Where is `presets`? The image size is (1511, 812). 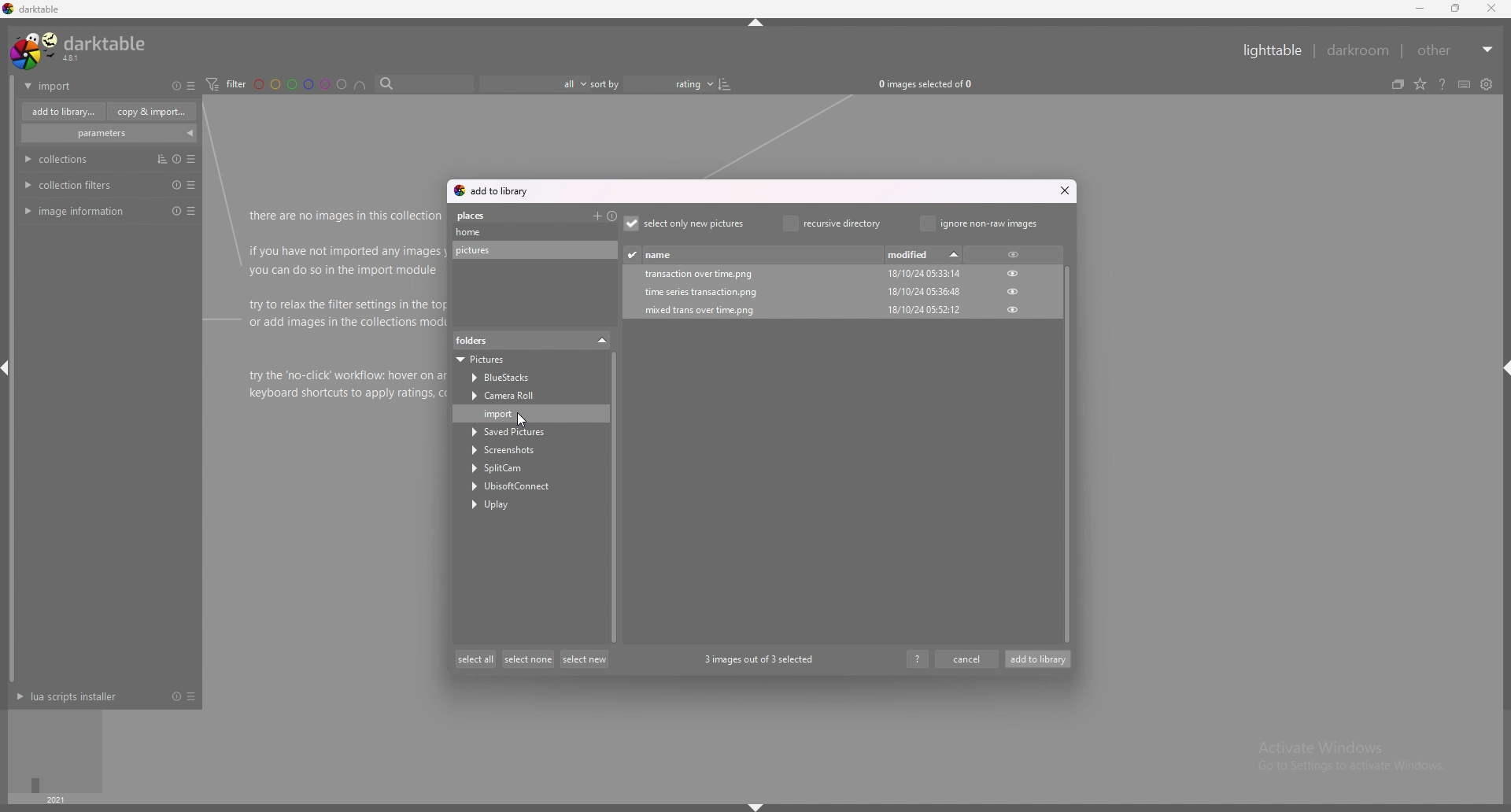
presets is located at coordinates (190, 696).